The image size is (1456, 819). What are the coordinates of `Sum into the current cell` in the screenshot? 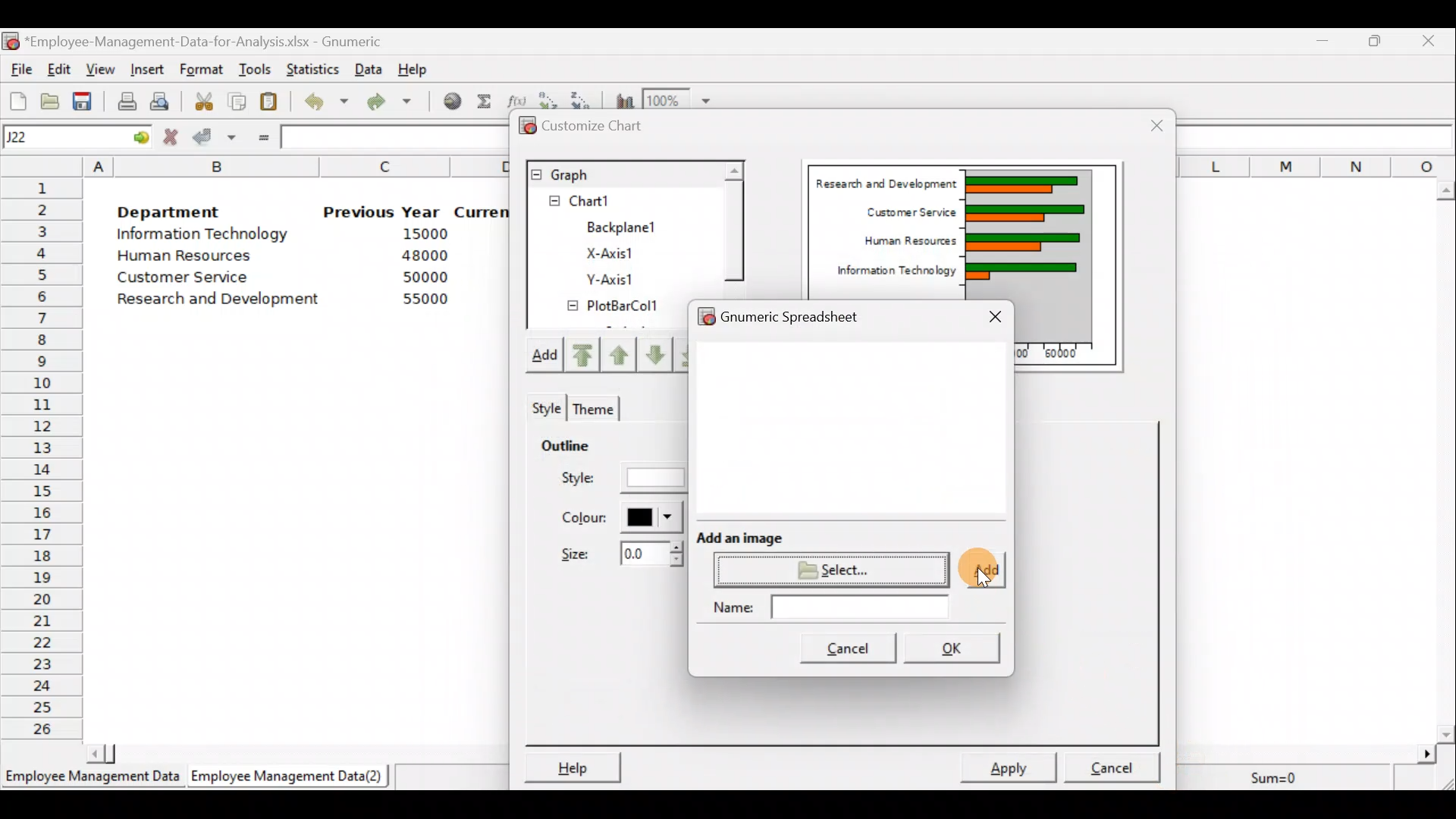 It's located at (485, 105).